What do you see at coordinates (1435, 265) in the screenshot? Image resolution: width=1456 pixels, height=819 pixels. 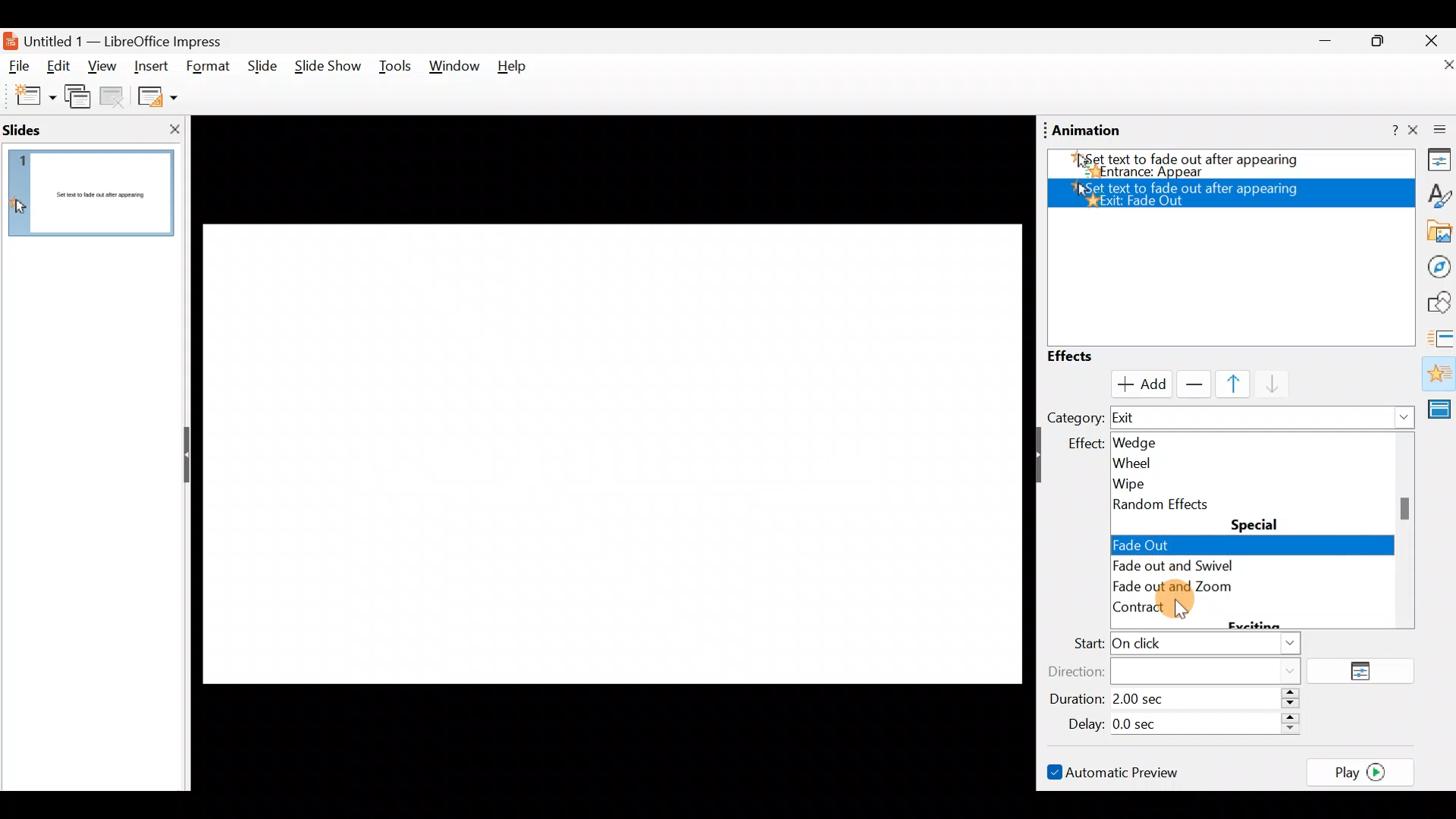 I see `Navigator` at bounding box center [1435, 265].